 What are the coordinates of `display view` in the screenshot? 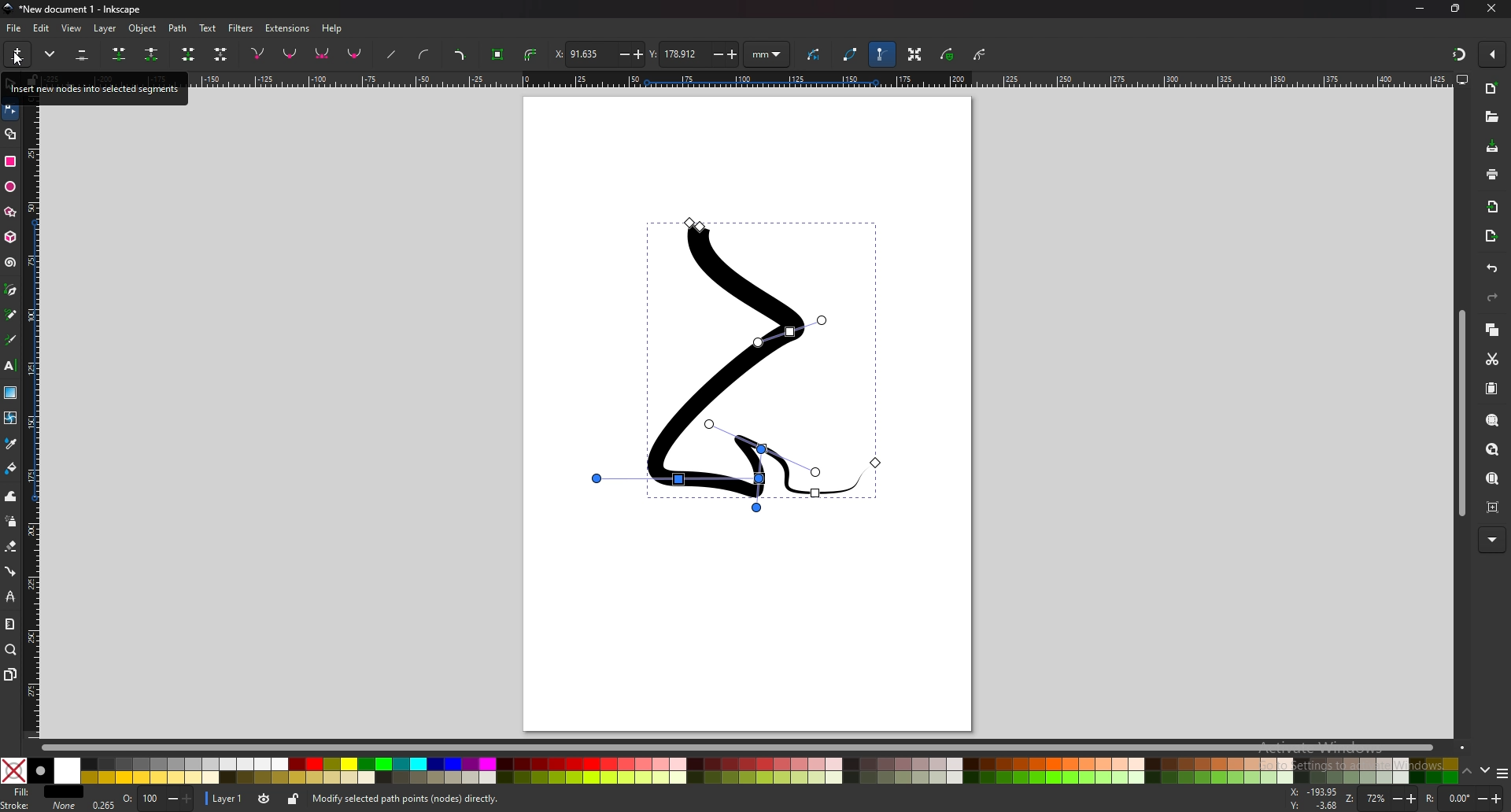 It's located at (1463, 79).